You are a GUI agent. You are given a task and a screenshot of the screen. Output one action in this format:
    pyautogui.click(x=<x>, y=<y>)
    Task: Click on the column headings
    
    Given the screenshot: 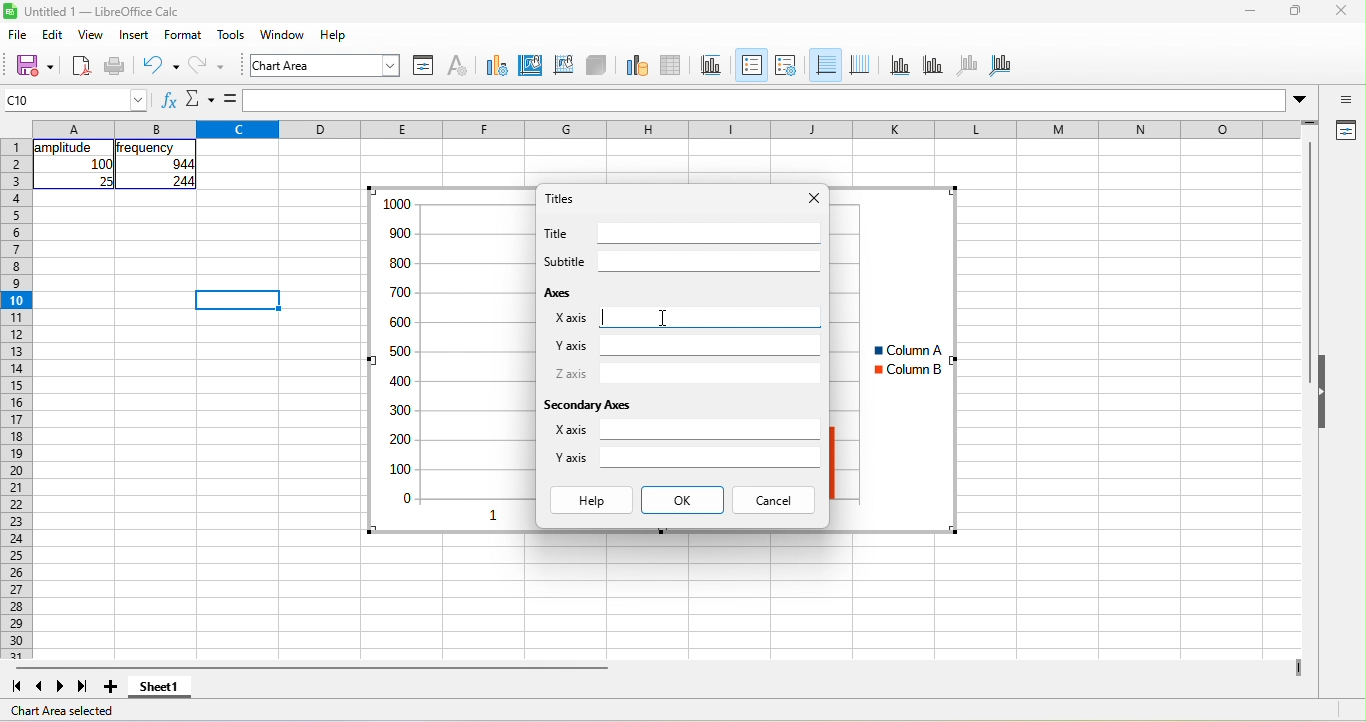 What is the action you would take?
    pyautogui.click(x=666, y=129)
    